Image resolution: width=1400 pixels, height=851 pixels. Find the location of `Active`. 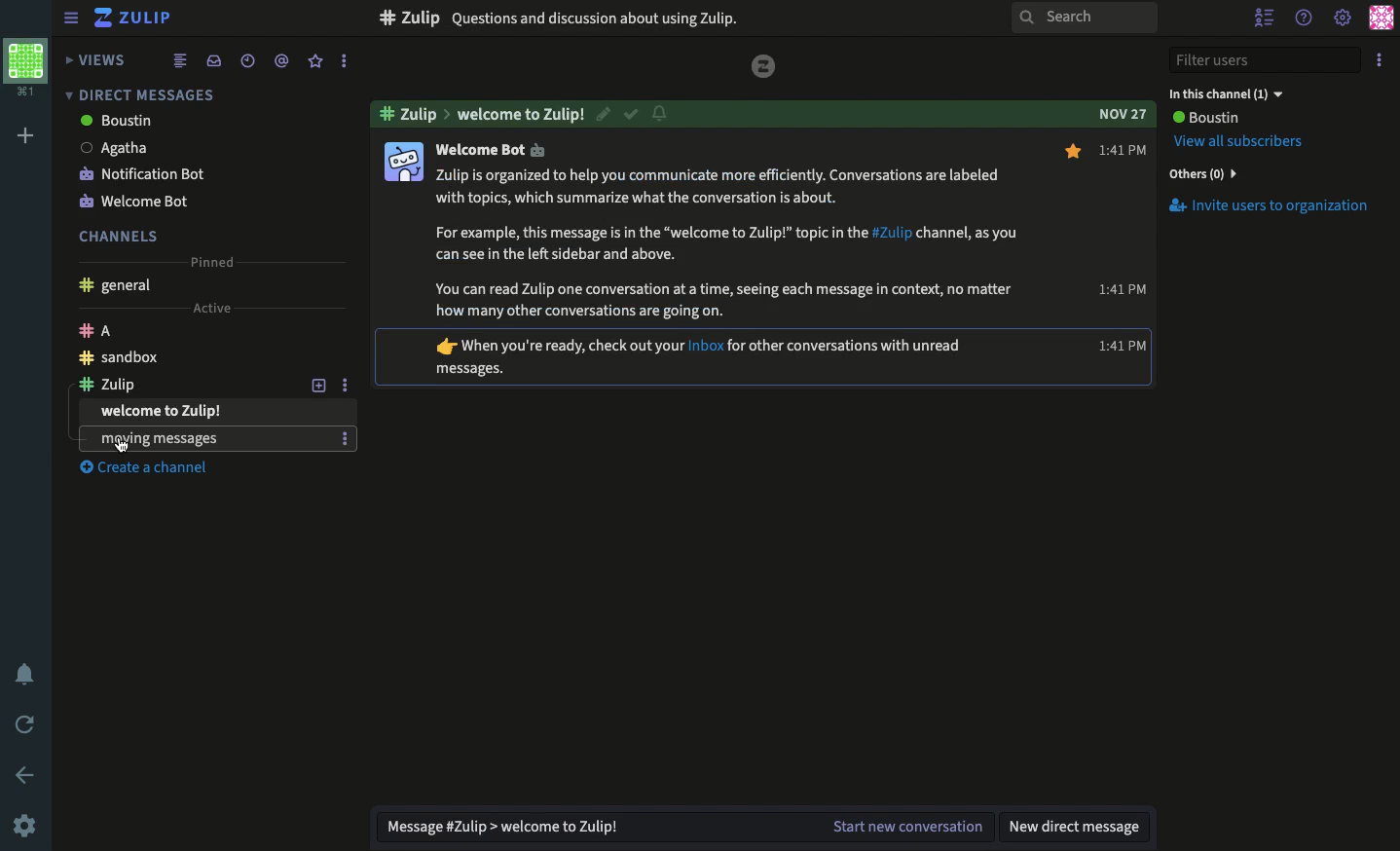

Active is located at coordinates (210, 306).